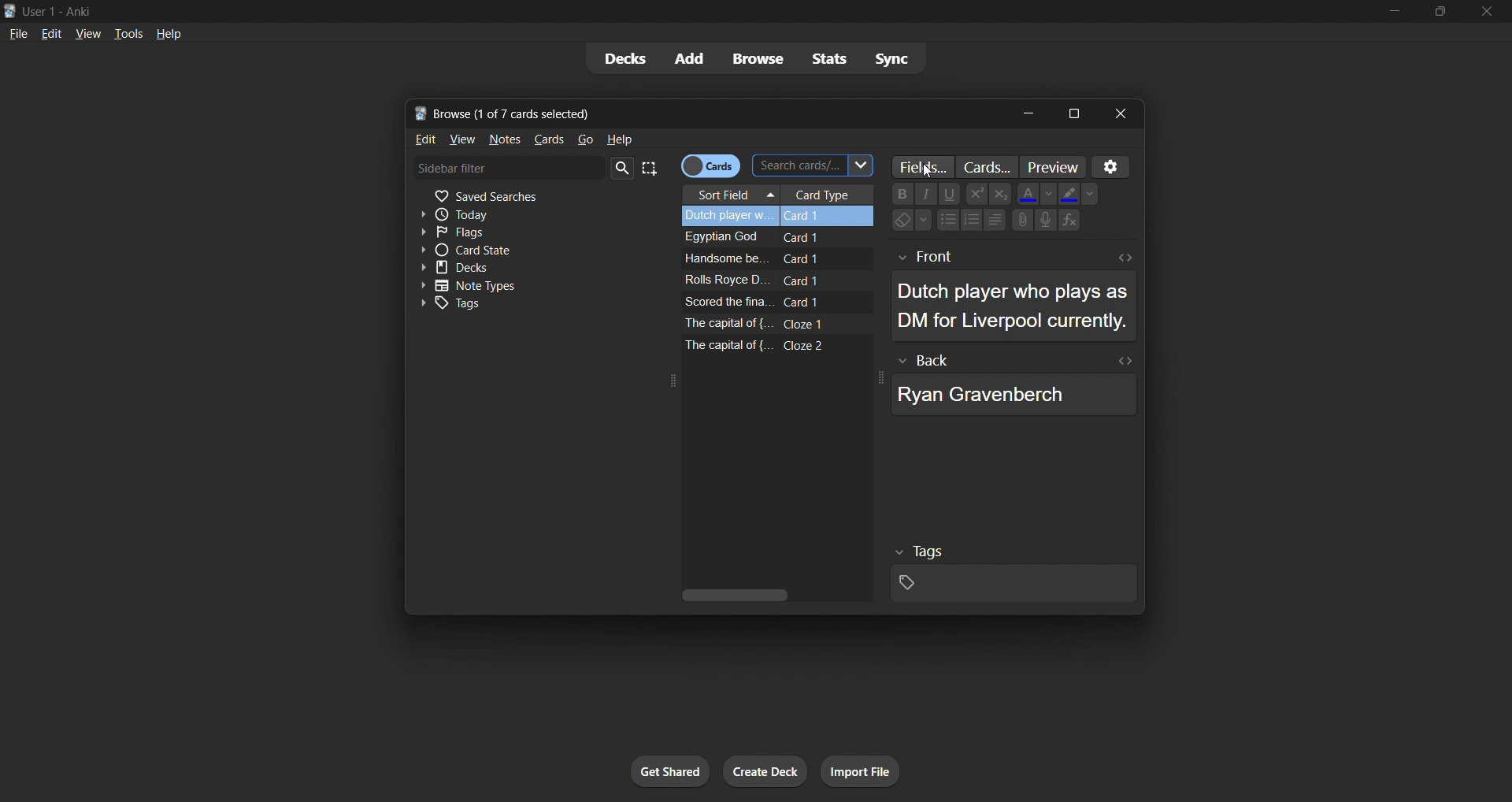 This screenshot has height=802, width=1512. I want to click on go, so click(586, 137).